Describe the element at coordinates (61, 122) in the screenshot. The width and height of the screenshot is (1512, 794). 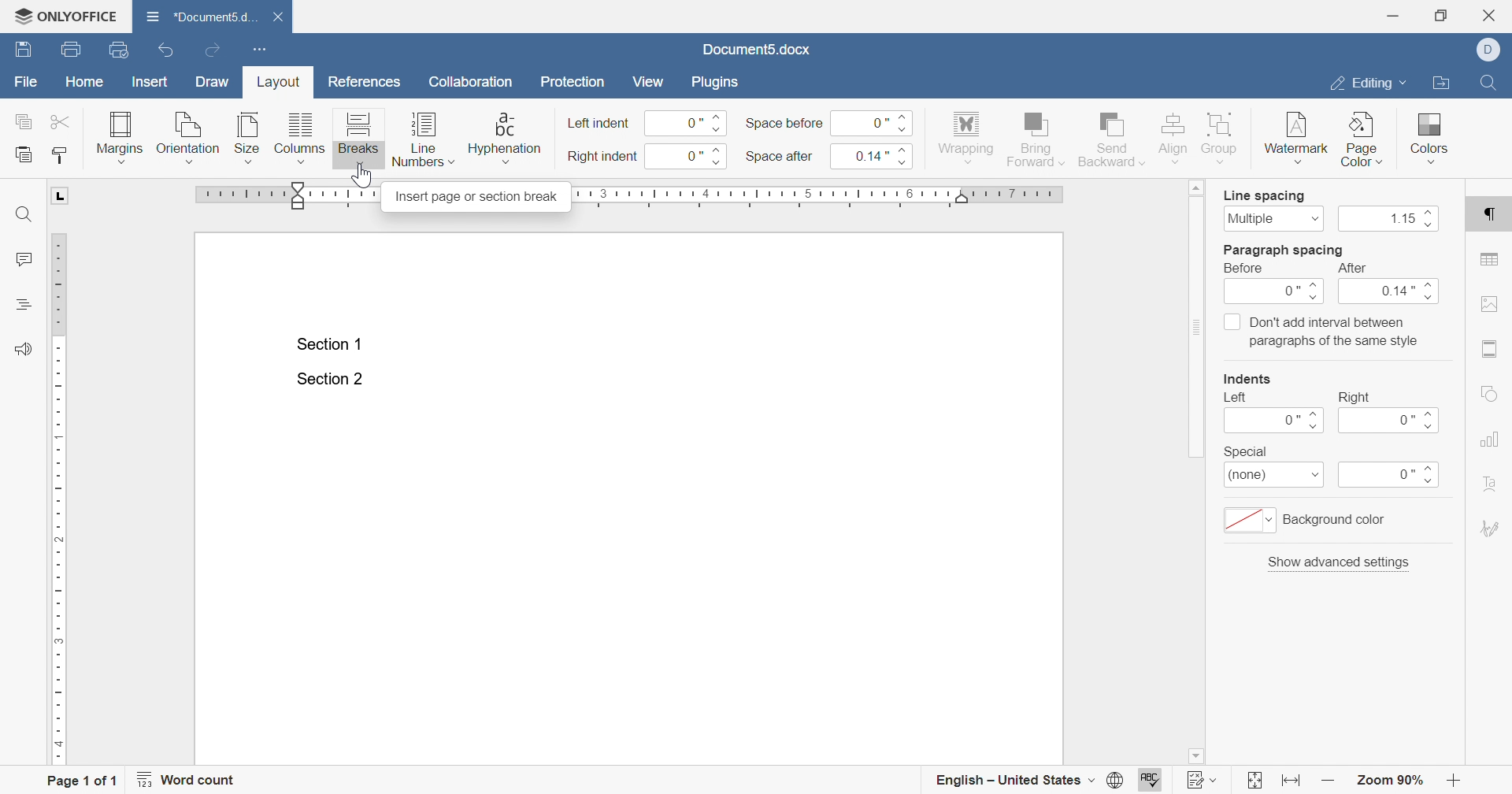
I see `cut` at that location.